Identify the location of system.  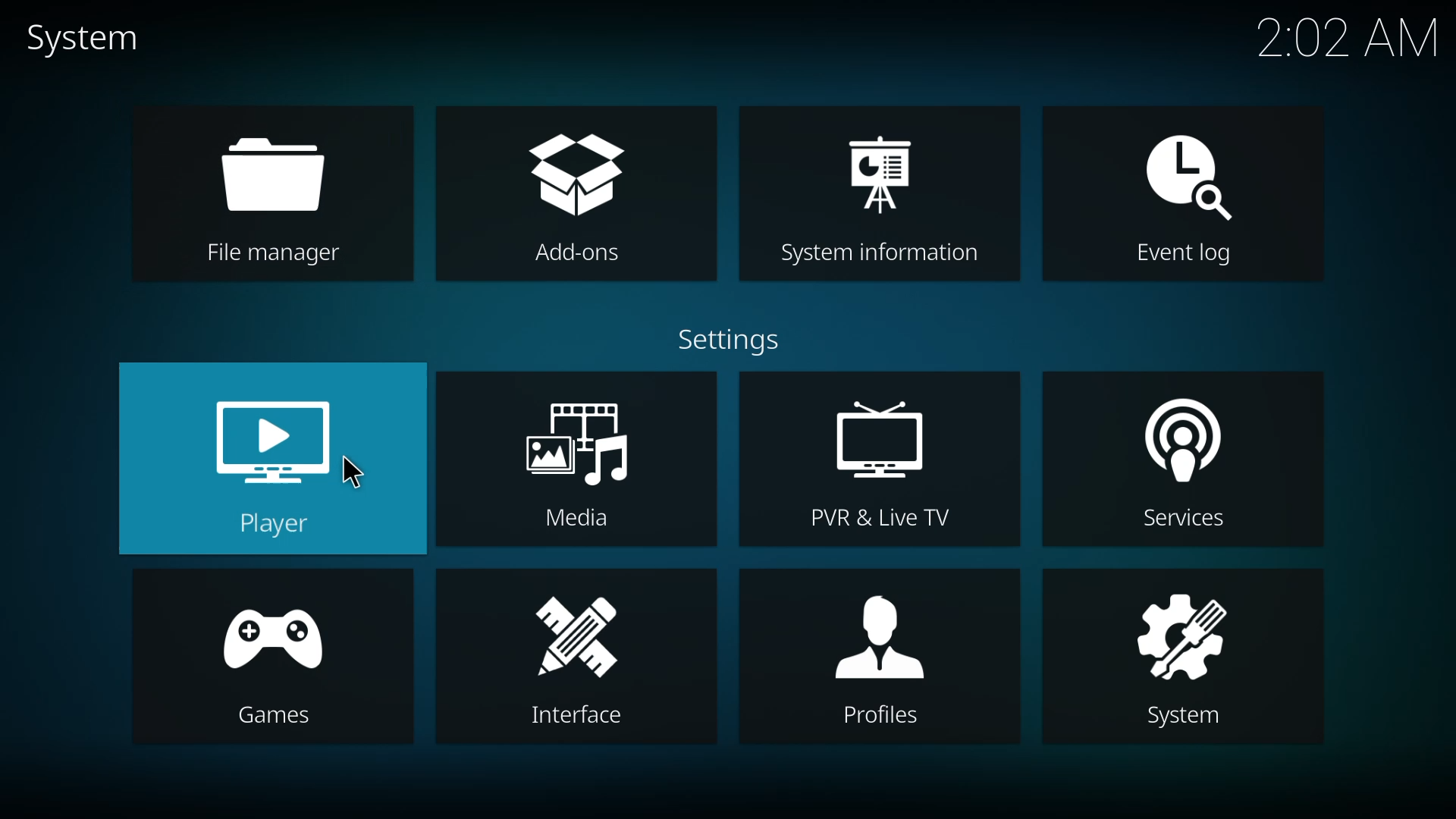
(1185, 659).